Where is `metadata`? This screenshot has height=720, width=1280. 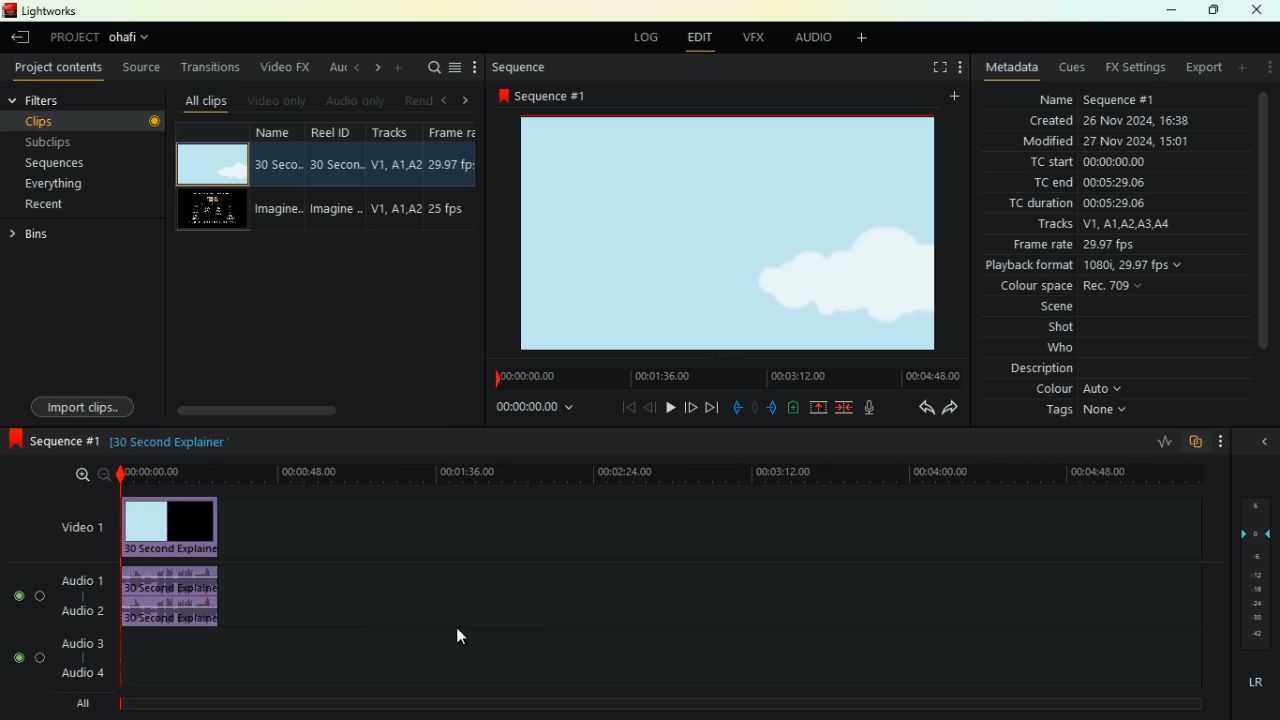
metadata is located at coordinates (1012, 68).